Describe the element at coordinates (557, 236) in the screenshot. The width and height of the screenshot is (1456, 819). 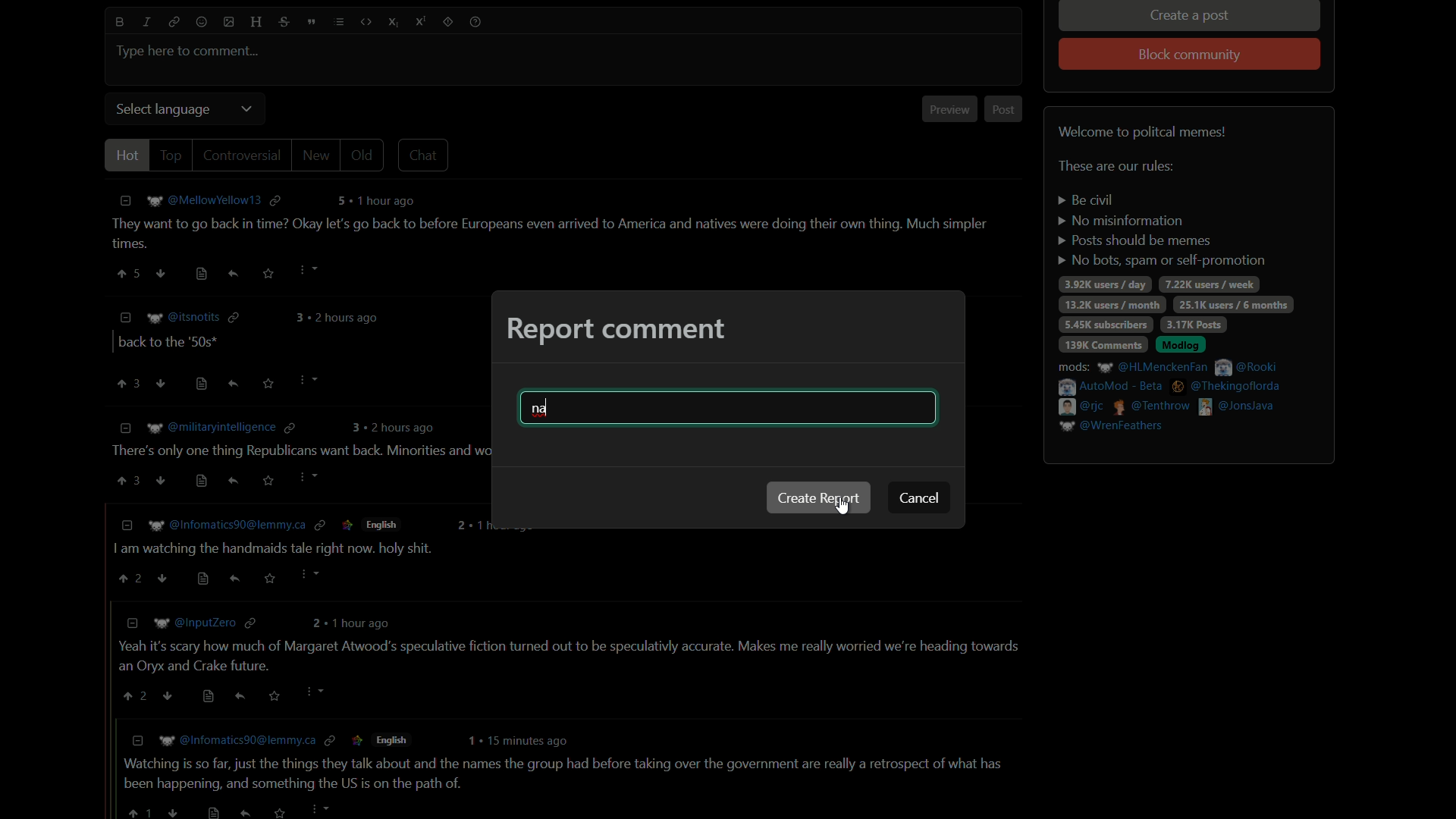
I see `comment-1` at that location.